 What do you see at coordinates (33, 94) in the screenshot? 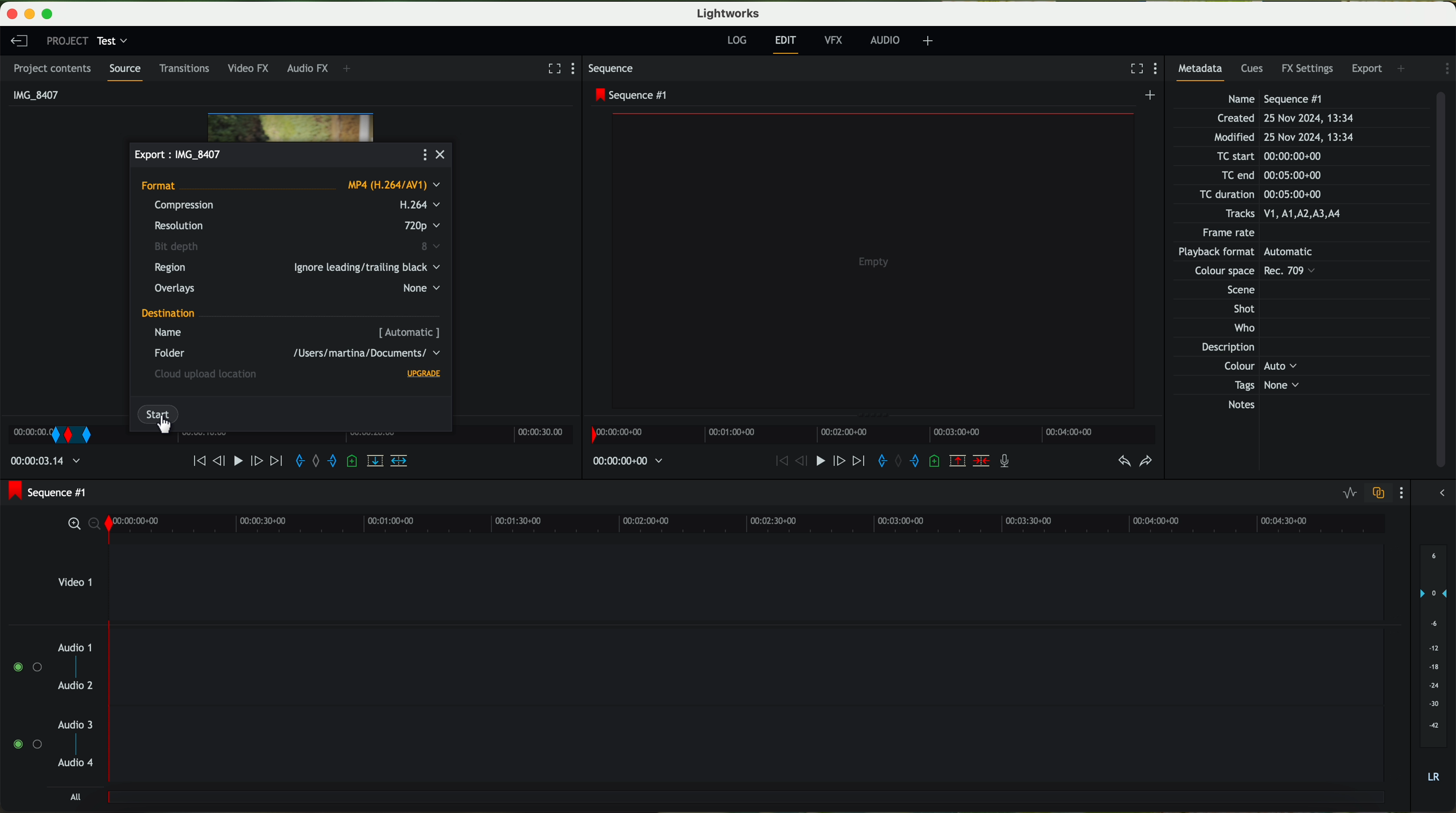
I see `IMG_8407` at bounding box center [33, 94].